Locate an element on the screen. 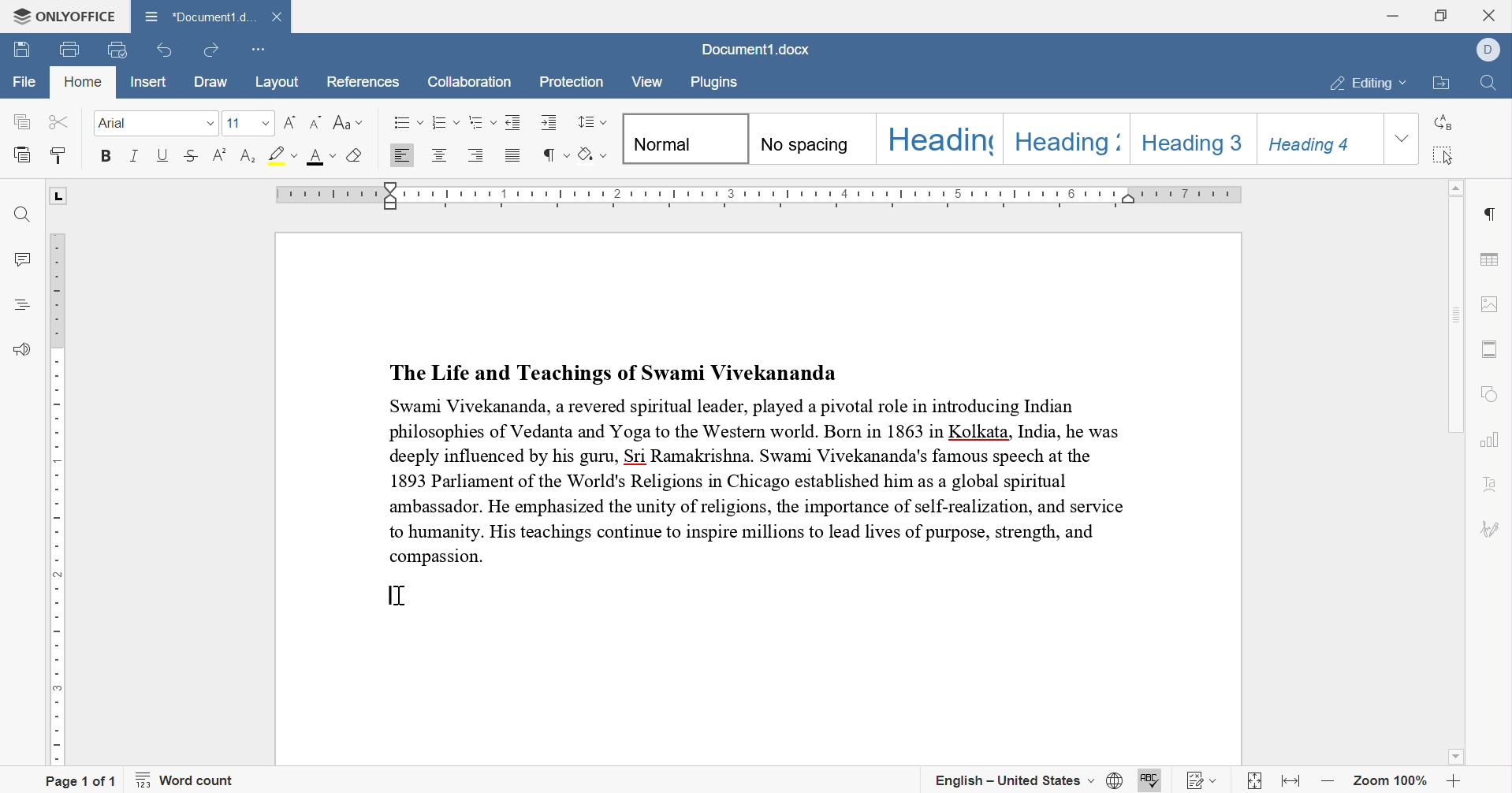 This screenshot has height=793, width=1512. collaboration is located at coordinates (468, 83).